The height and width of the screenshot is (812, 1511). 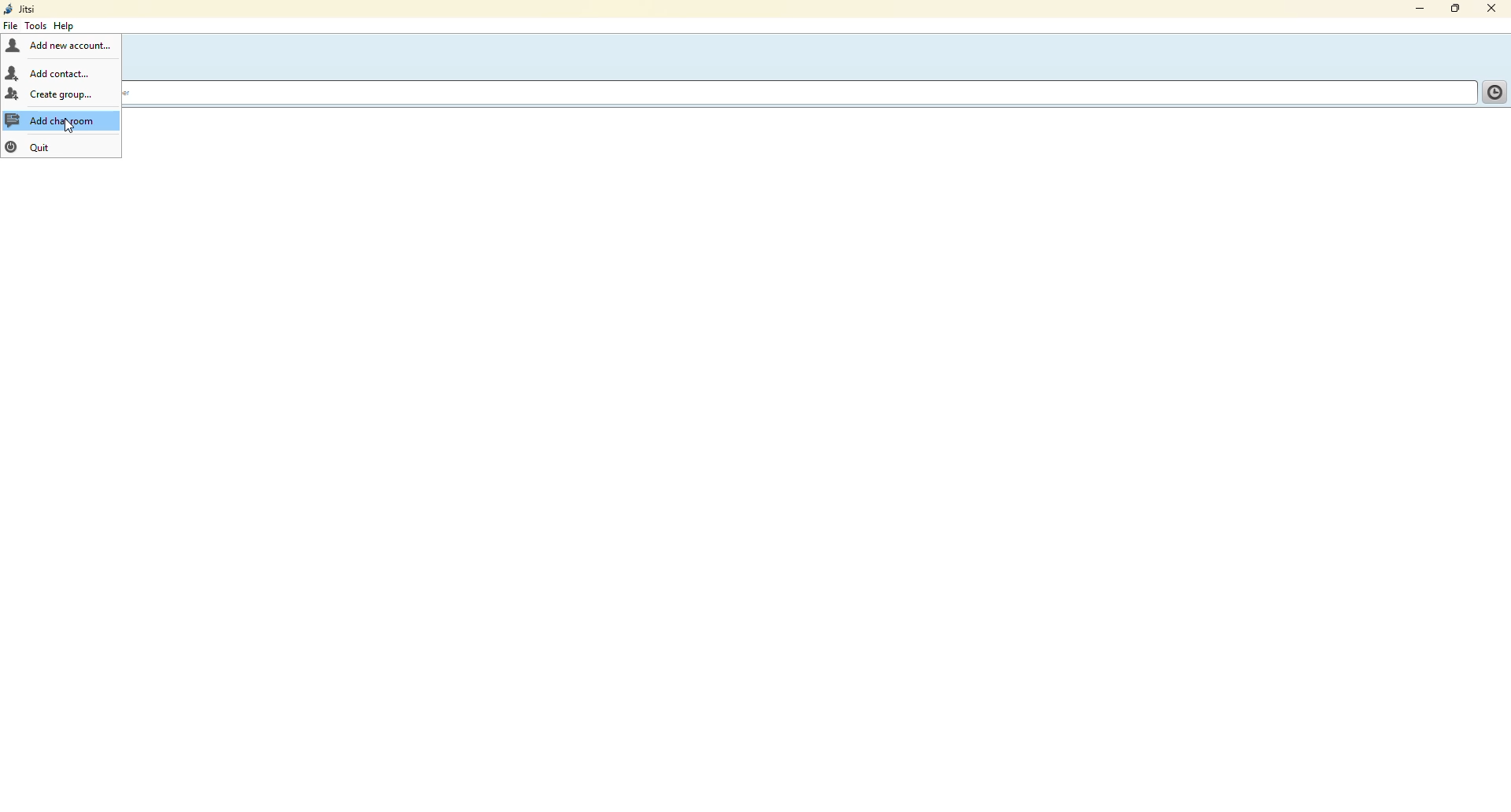 I want to click on cursor, so click(x=68, y=127).